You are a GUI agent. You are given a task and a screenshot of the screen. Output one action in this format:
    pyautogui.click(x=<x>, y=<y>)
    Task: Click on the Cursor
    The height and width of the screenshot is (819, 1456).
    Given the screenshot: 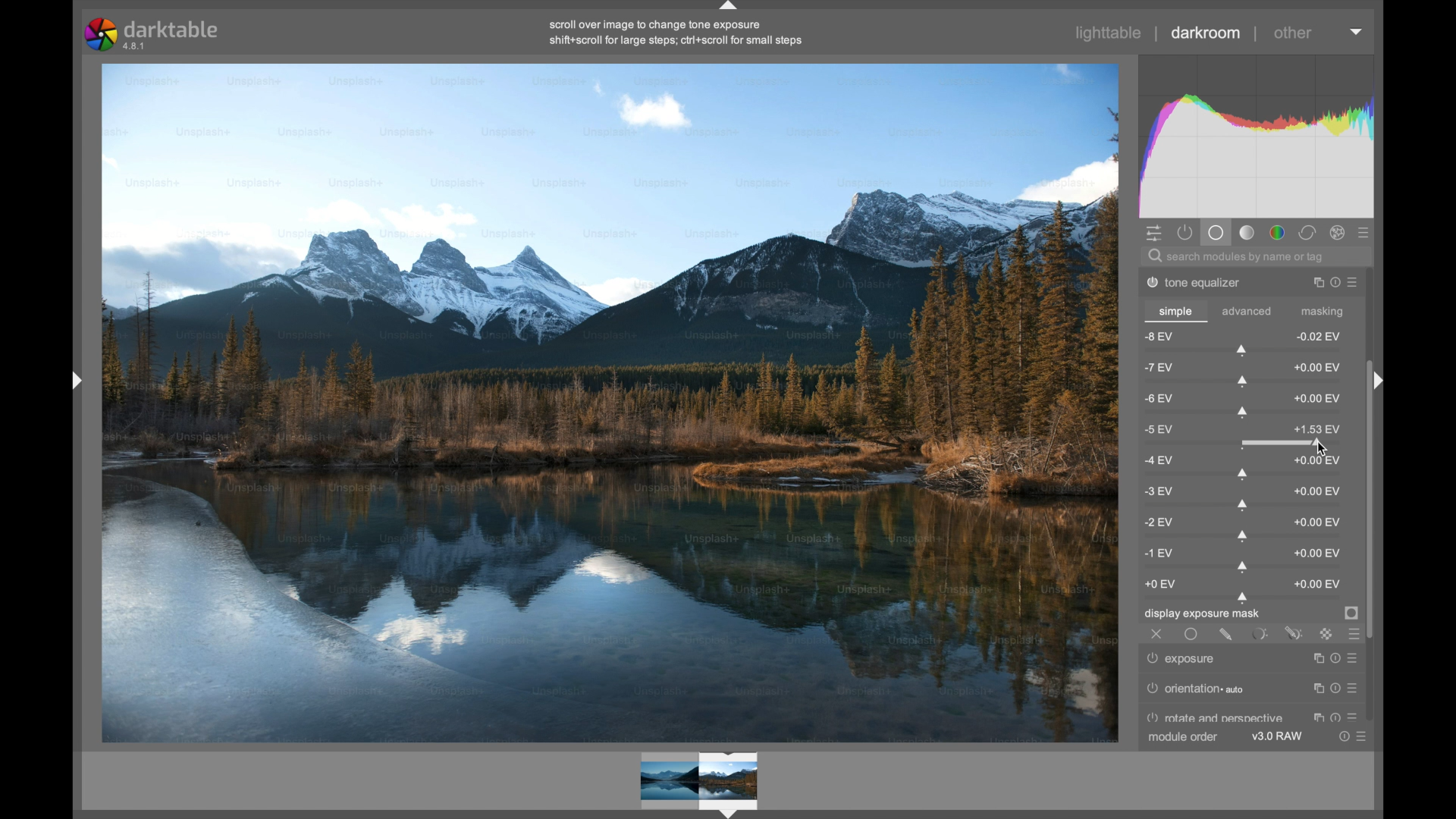 What is the action you would take?
    pyautogui.click(x=1320, y=452)
    